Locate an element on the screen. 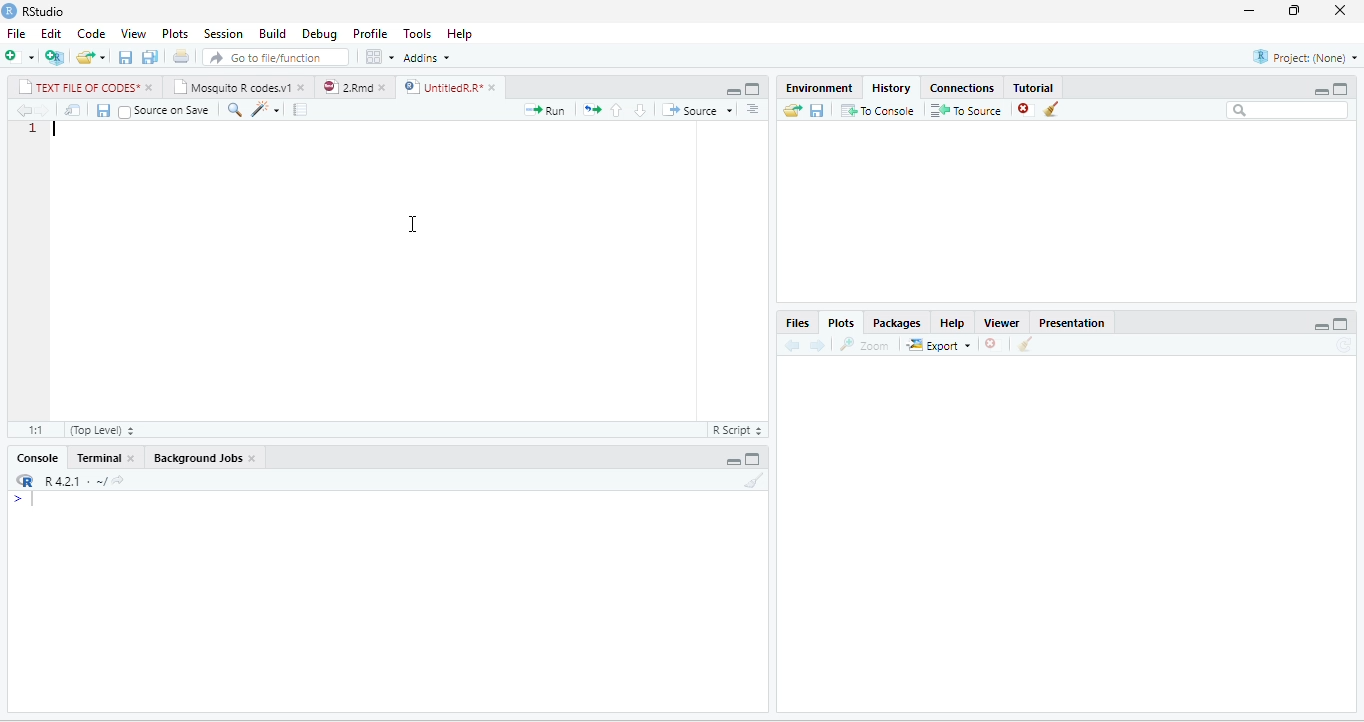 The width and height of the screenshot is (1364, 722). History is located at coordinates (891, 89).